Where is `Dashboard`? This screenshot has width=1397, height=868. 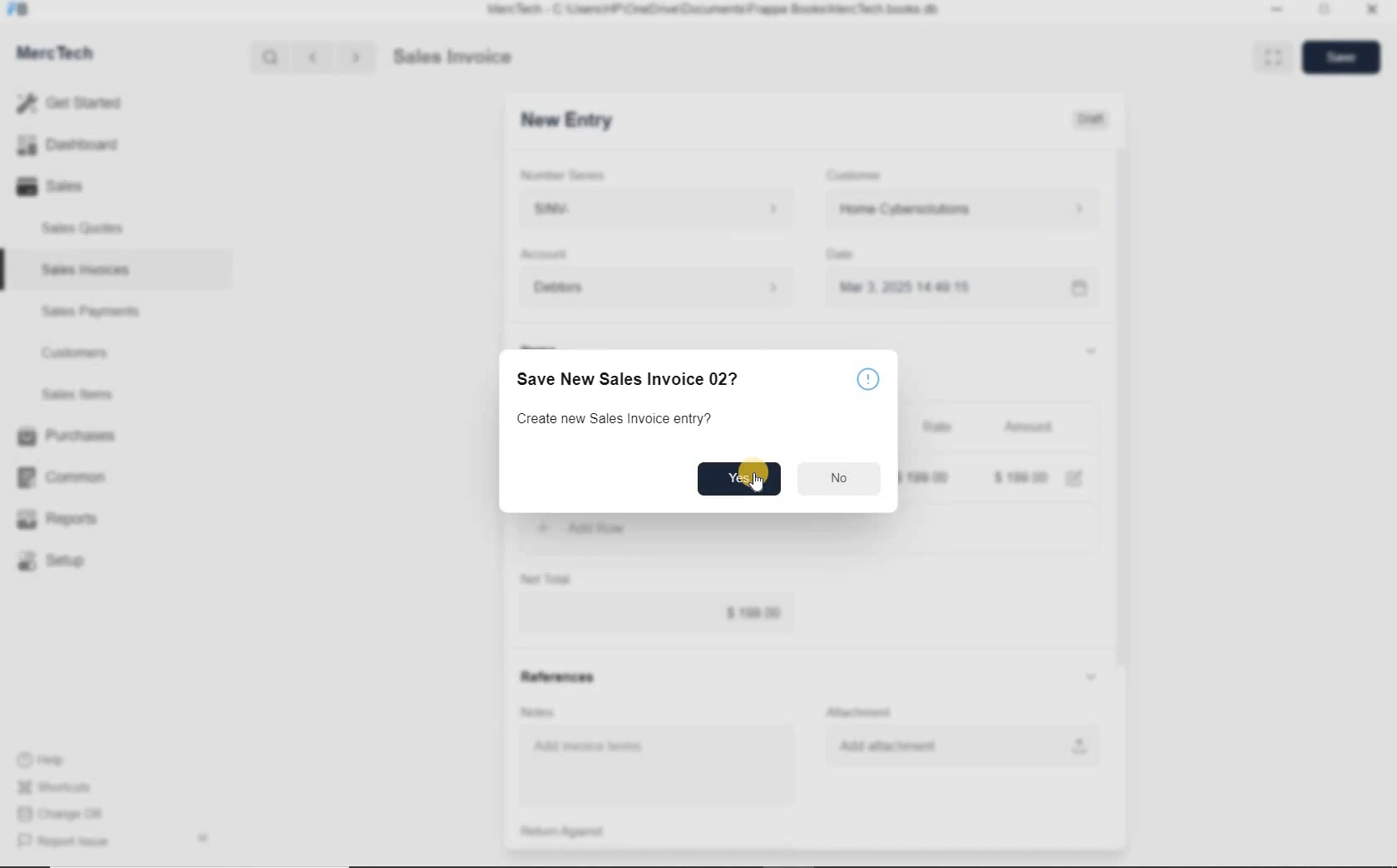 Dashboard is located at coordinates (76, 145).